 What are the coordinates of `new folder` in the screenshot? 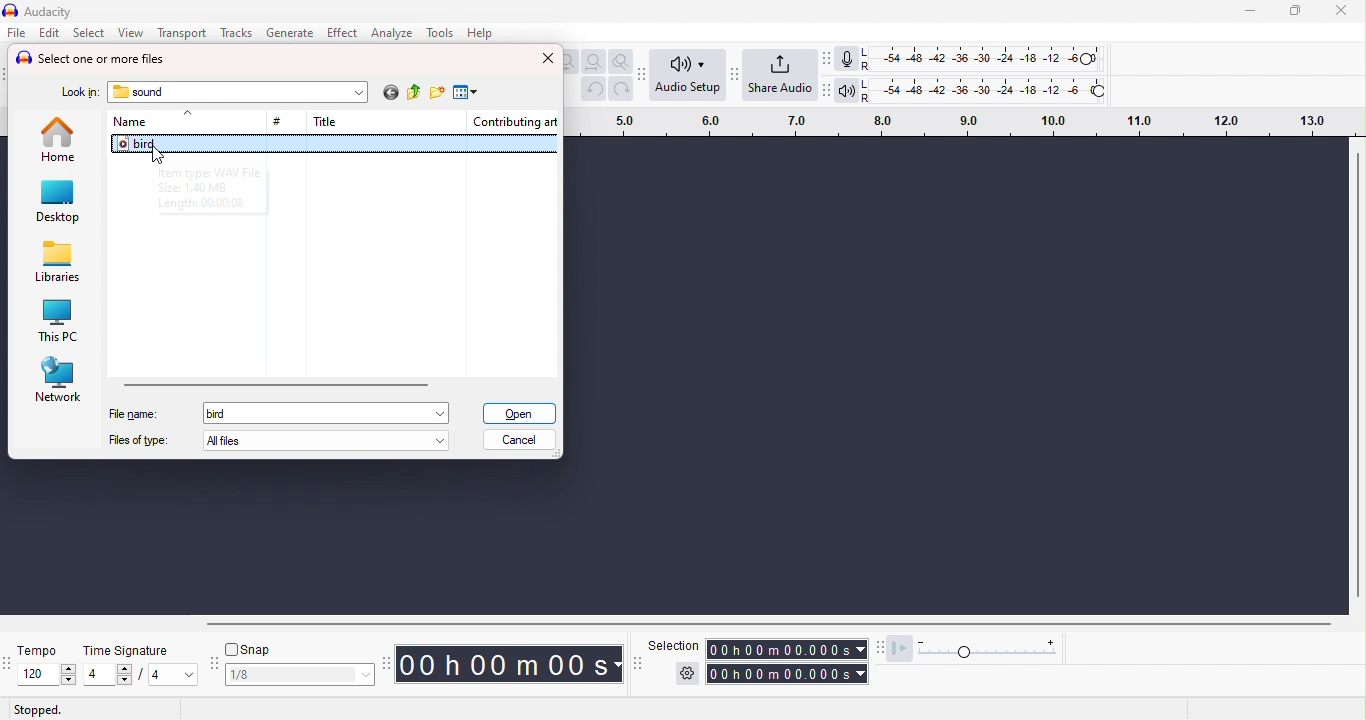 It's located at (437, 93).